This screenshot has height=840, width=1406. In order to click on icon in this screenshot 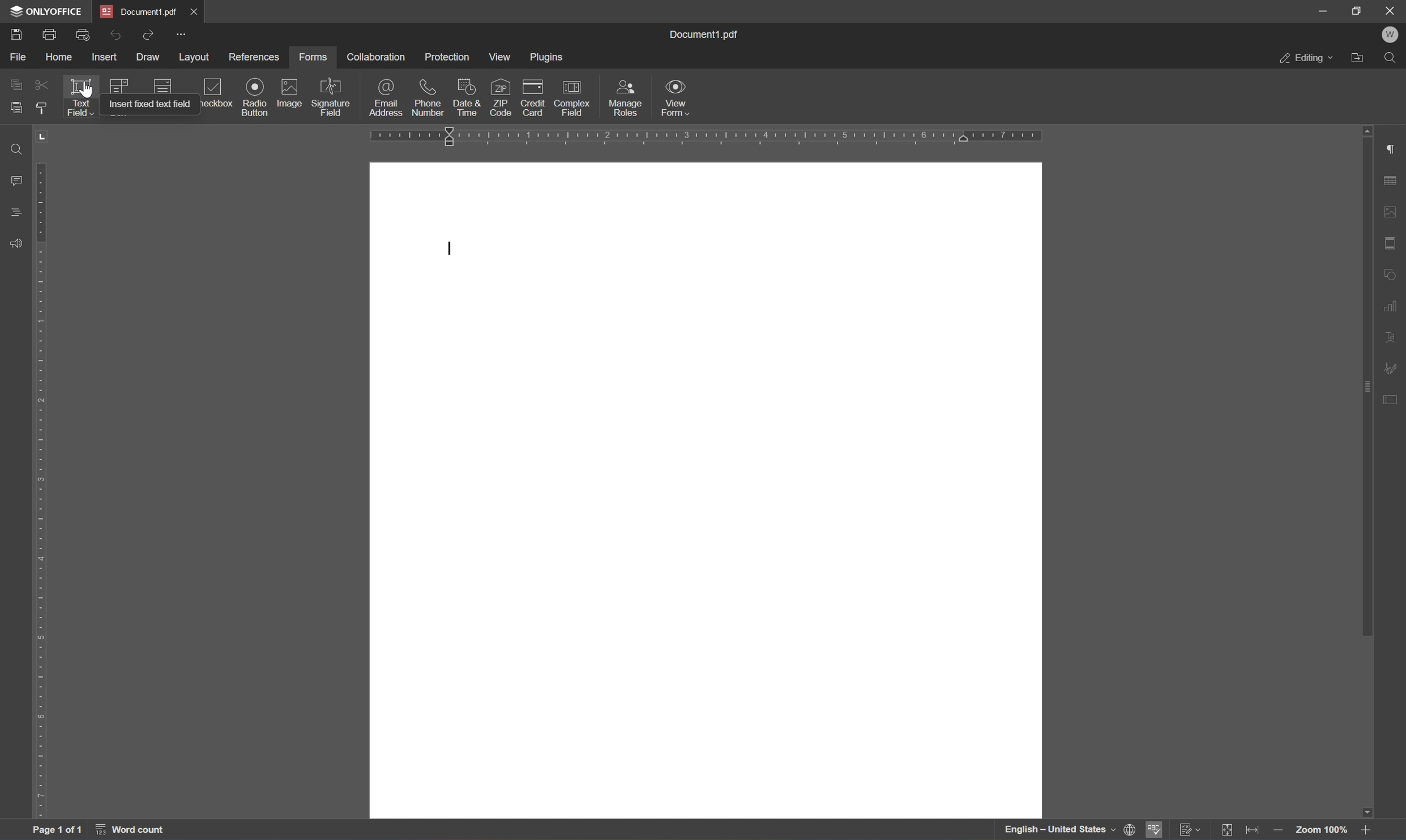, I will do `click(162, 85)`.